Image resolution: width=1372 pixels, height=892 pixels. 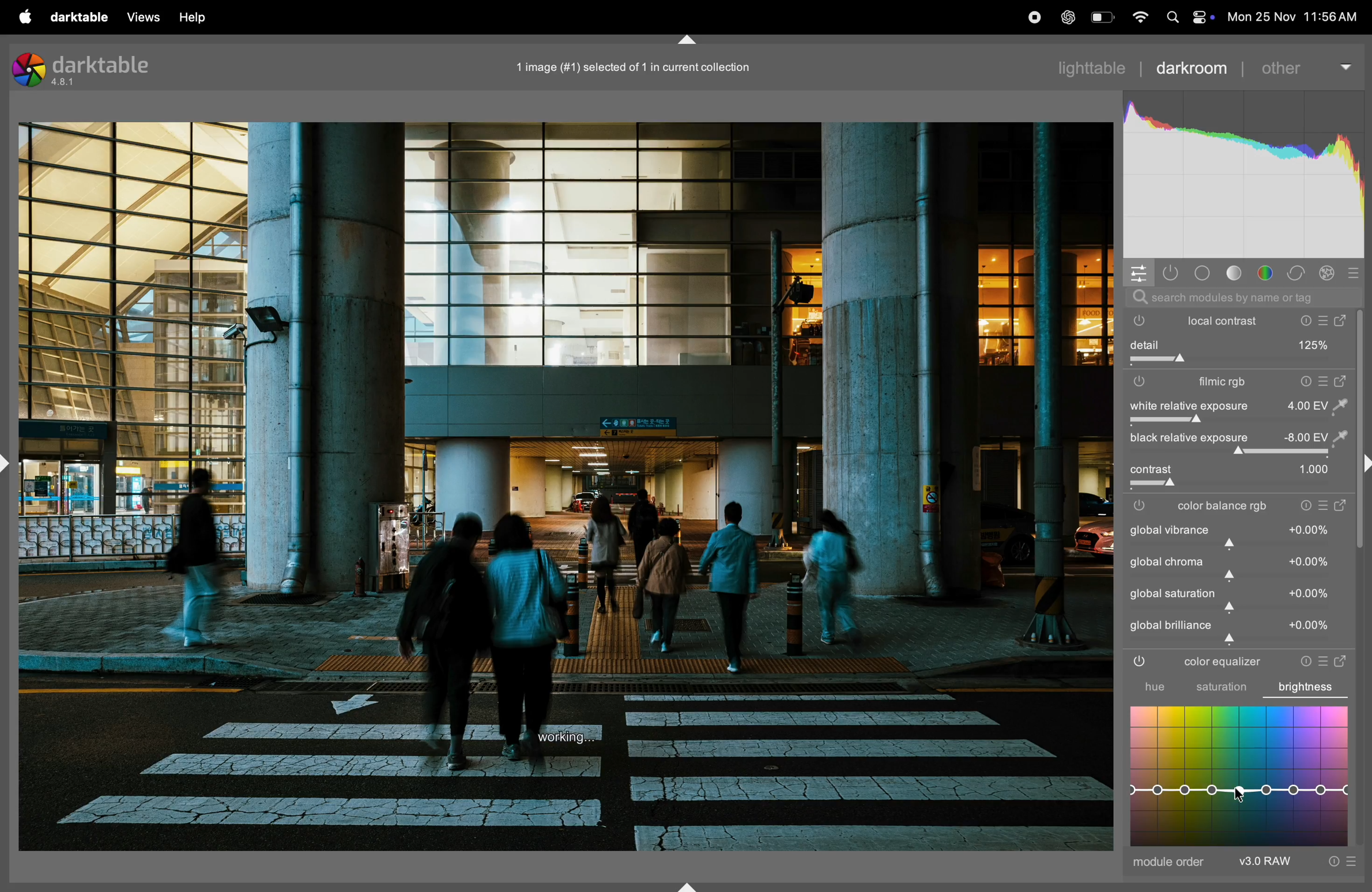 I want to click on chatgpt, so click(x=1071, y=17).